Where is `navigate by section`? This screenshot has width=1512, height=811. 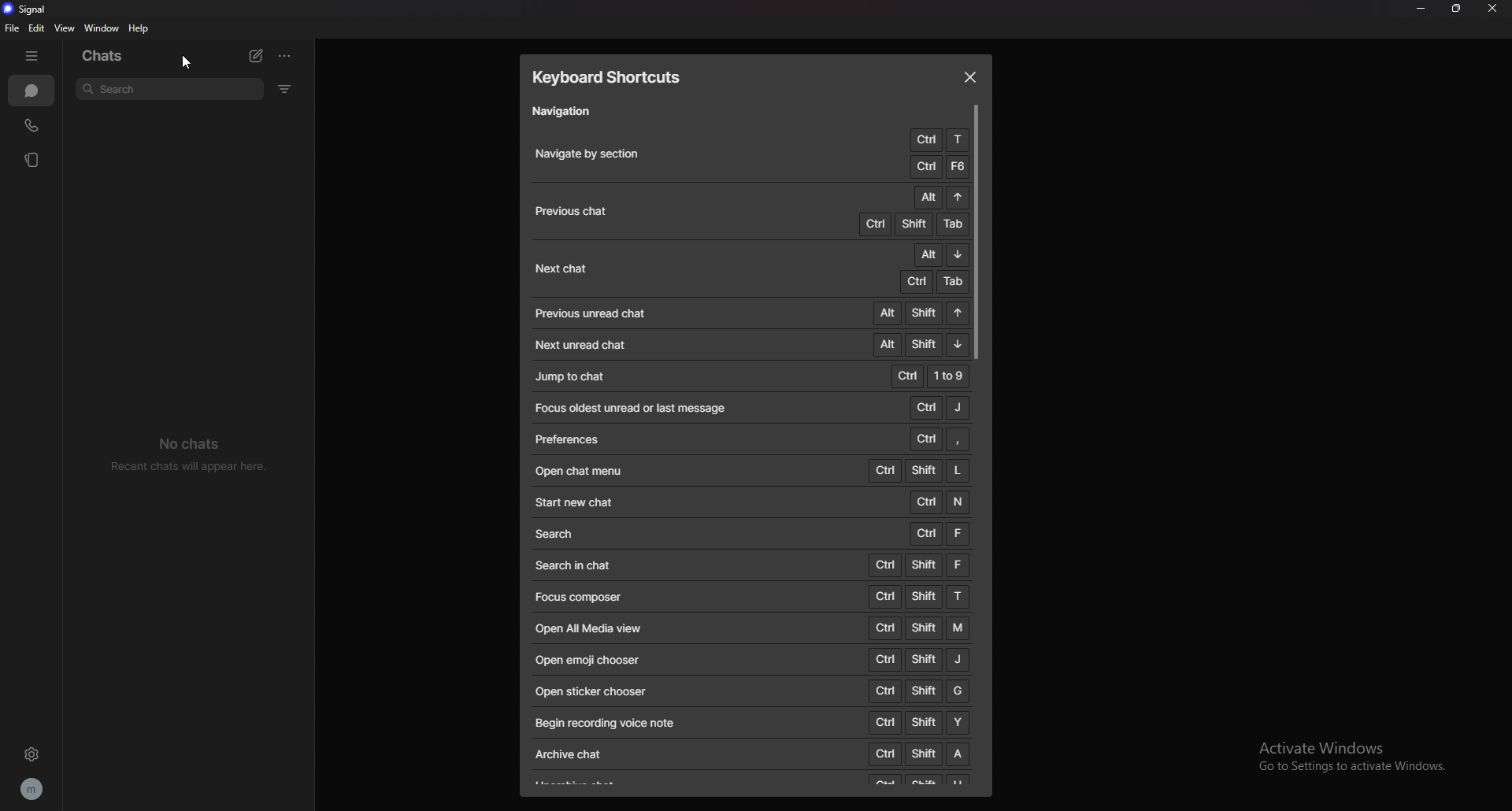
navigate by section is located at coordinates (598, 154).